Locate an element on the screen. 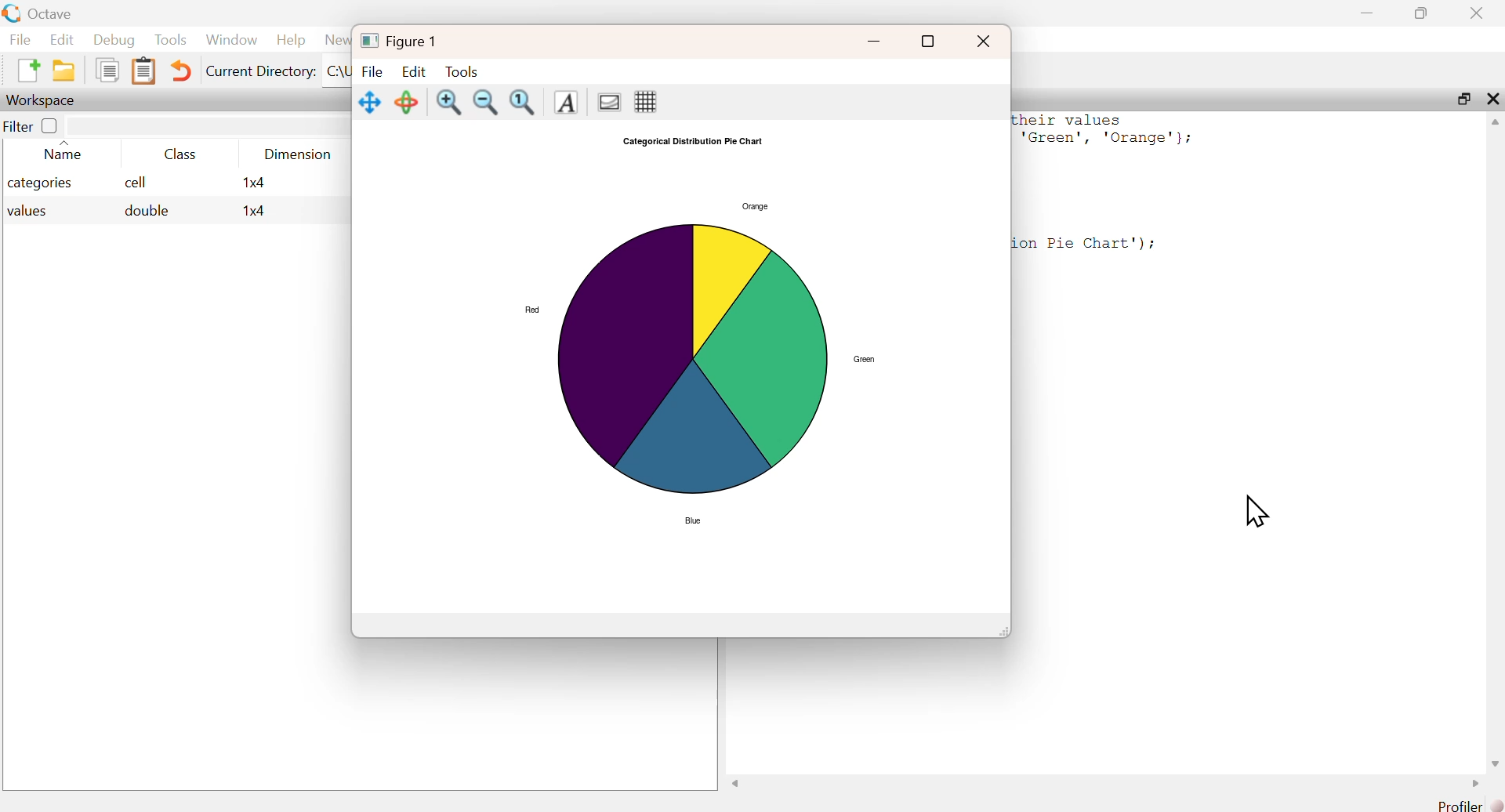 This screenshot has width=1505, height=812. full screen is located at coordinates (927, 42).